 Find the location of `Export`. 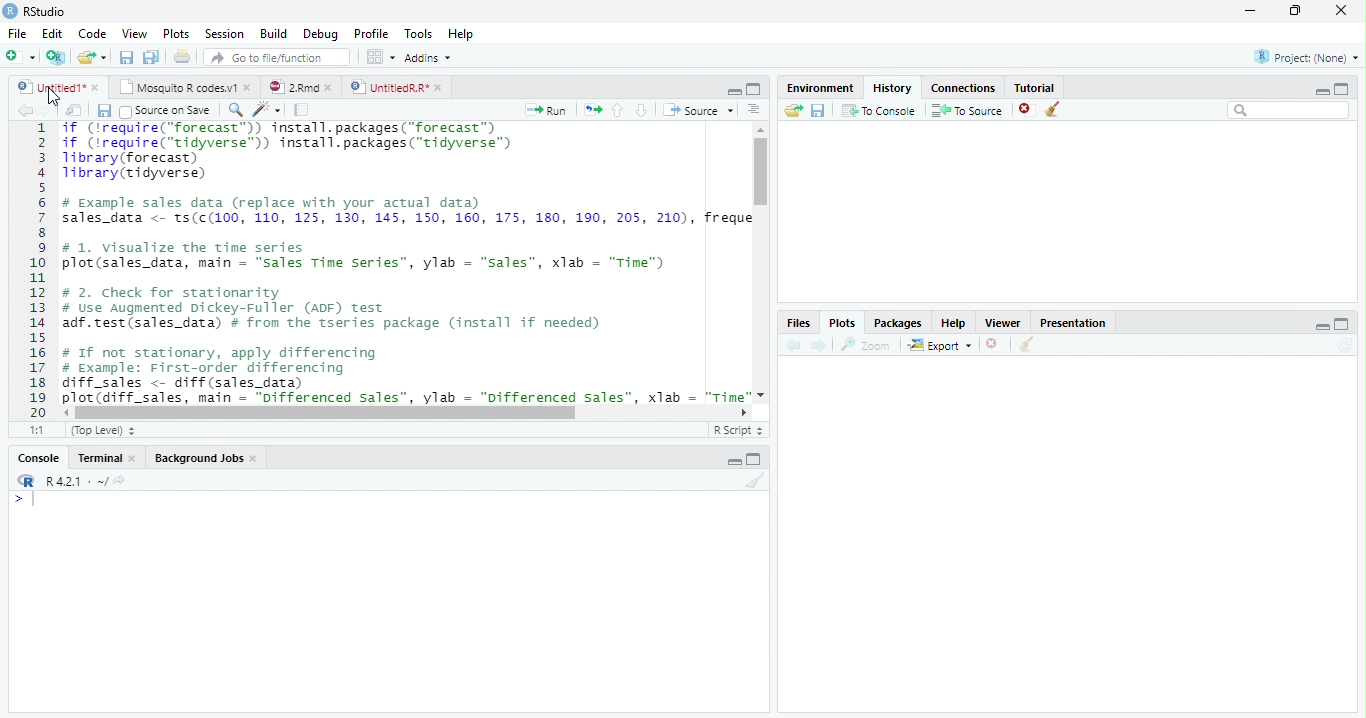

Export is located at coordinates (940, 345).